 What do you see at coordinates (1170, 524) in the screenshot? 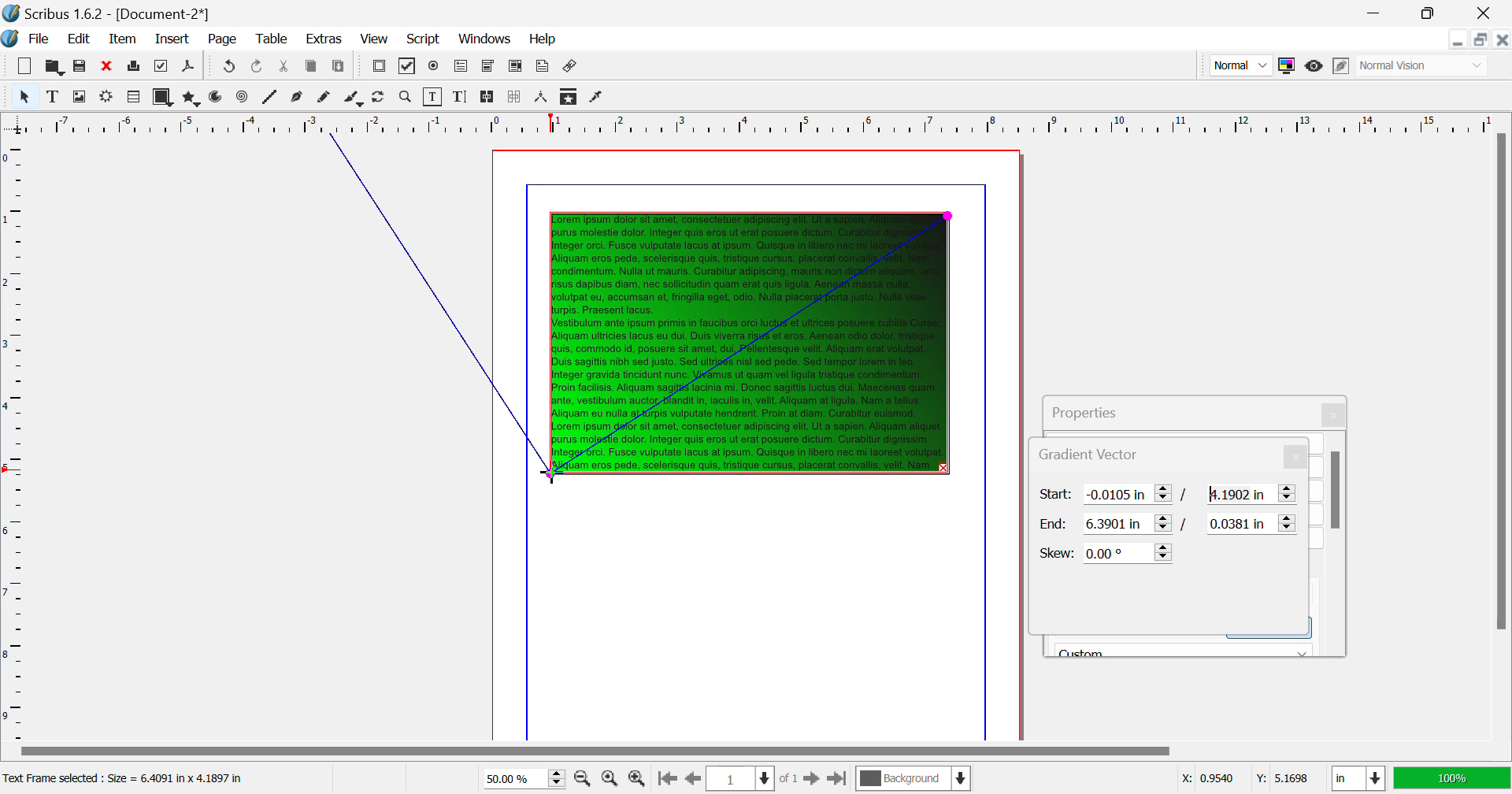
I see `Gradient Vector End` at bounding box center [1170, 524].